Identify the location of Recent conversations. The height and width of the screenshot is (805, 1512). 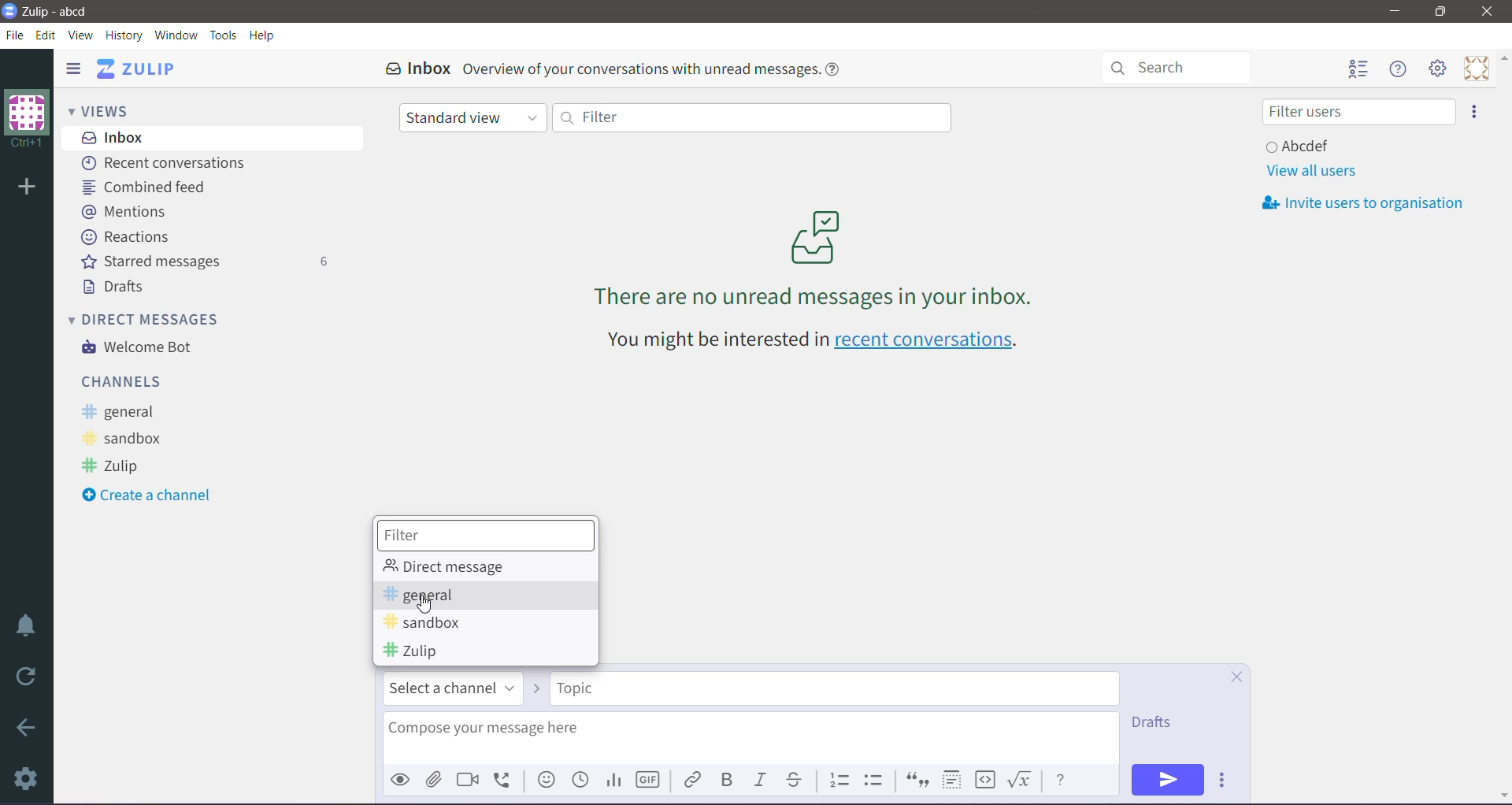
(169, 164).